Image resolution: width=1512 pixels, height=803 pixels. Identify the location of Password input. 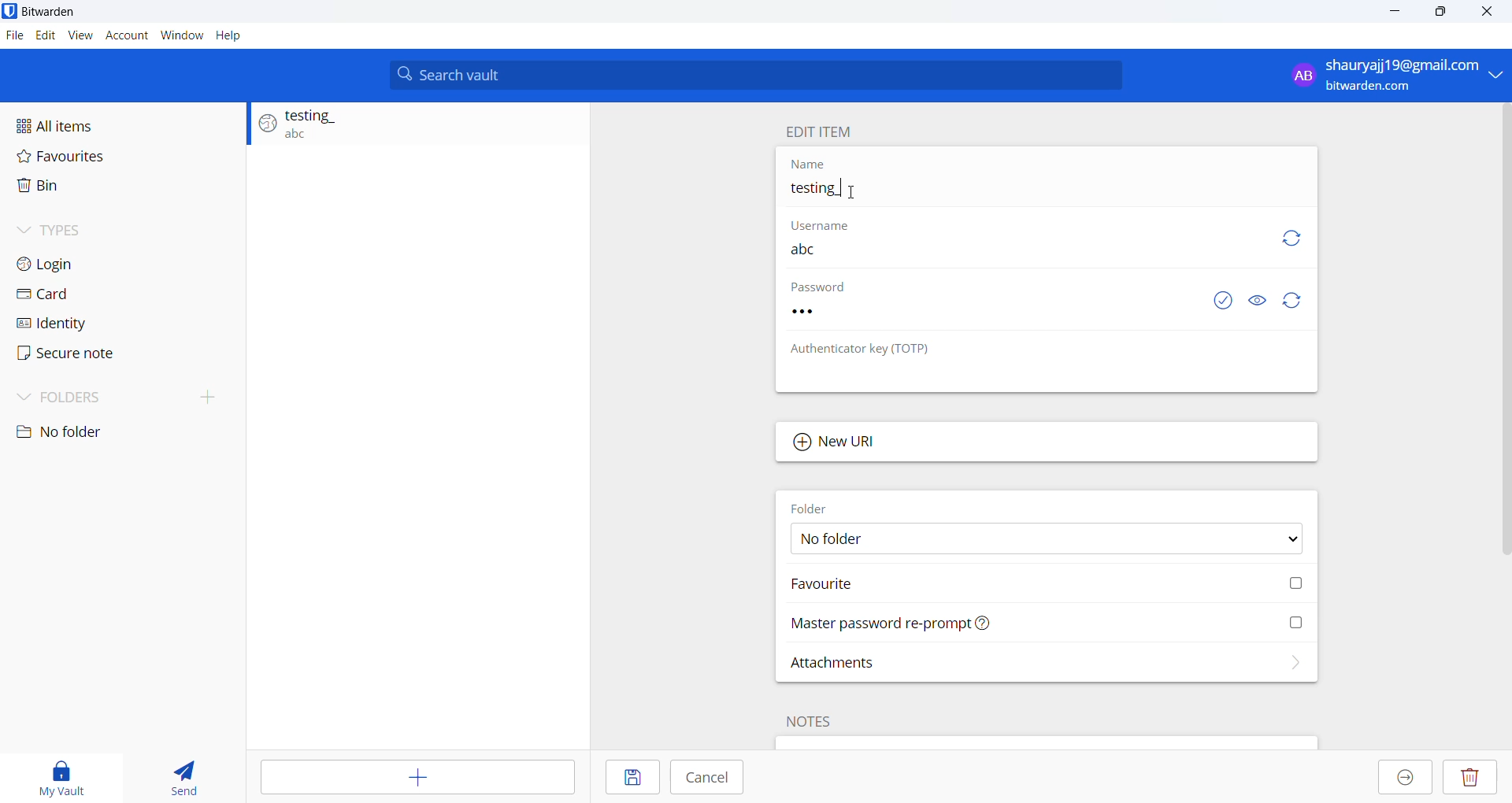
(976, 316).